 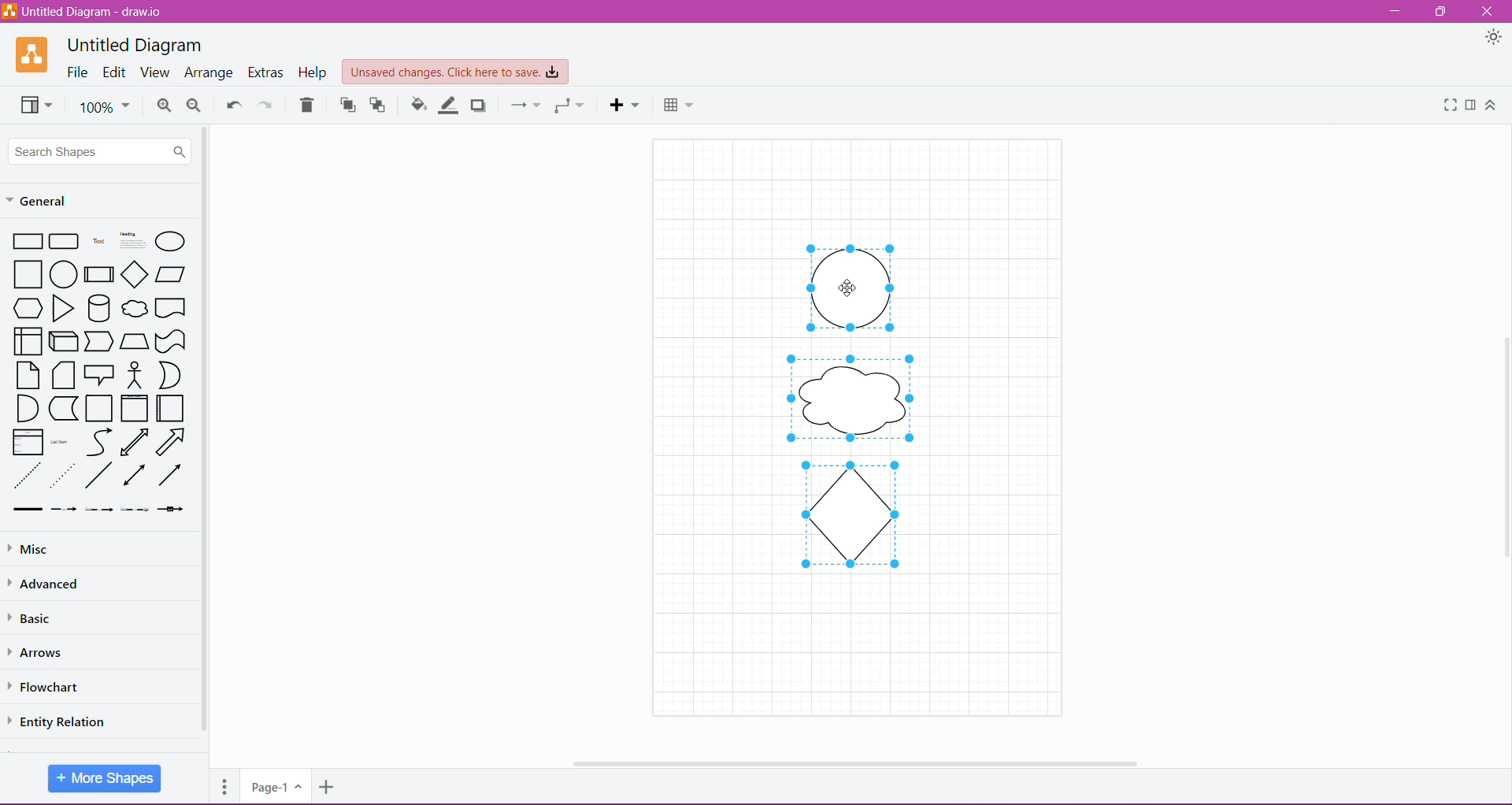 What do you see at coordinates (54, 687) in the screenshot?
I see `Flowchart` at bounding box center [54, 687].